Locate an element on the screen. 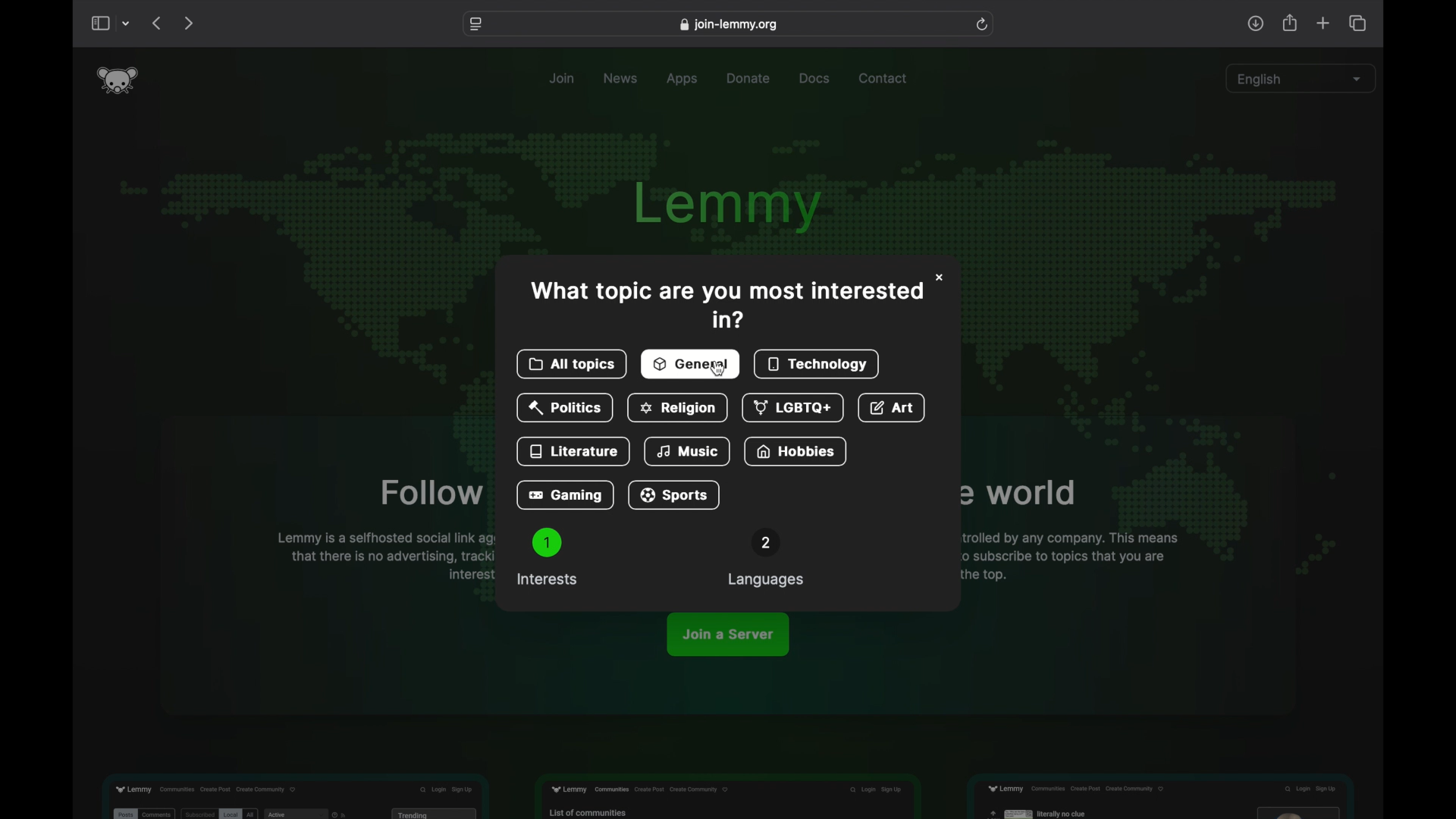  languages is located at coordinates (765, 559).